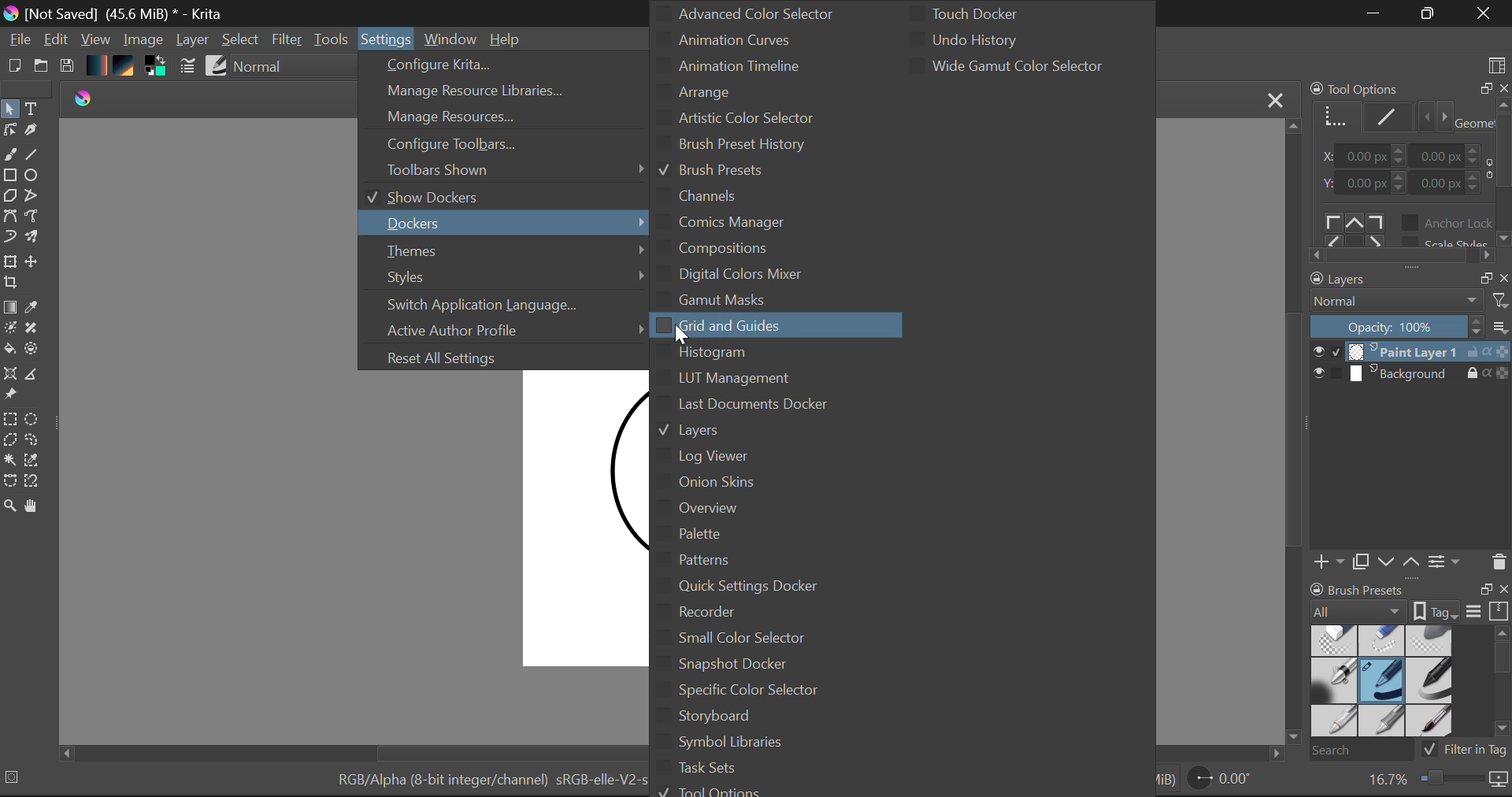 The image size is (1512, 797). What do you see at coordinates (809, 510) in the screenshot?
I see `Overview` at bounding box center [809, 510].